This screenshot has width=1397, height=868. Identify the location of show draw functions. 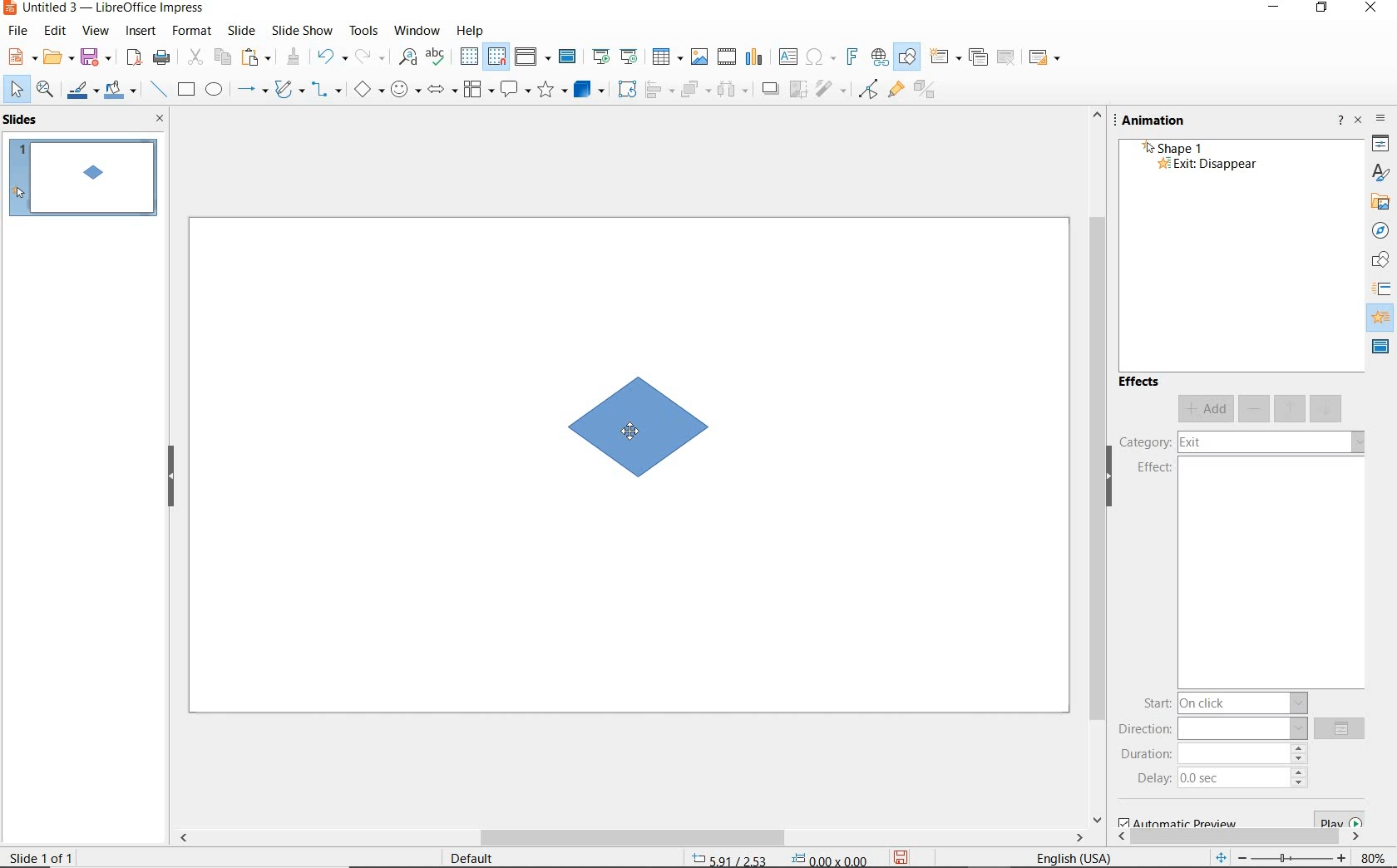
(906, 57).